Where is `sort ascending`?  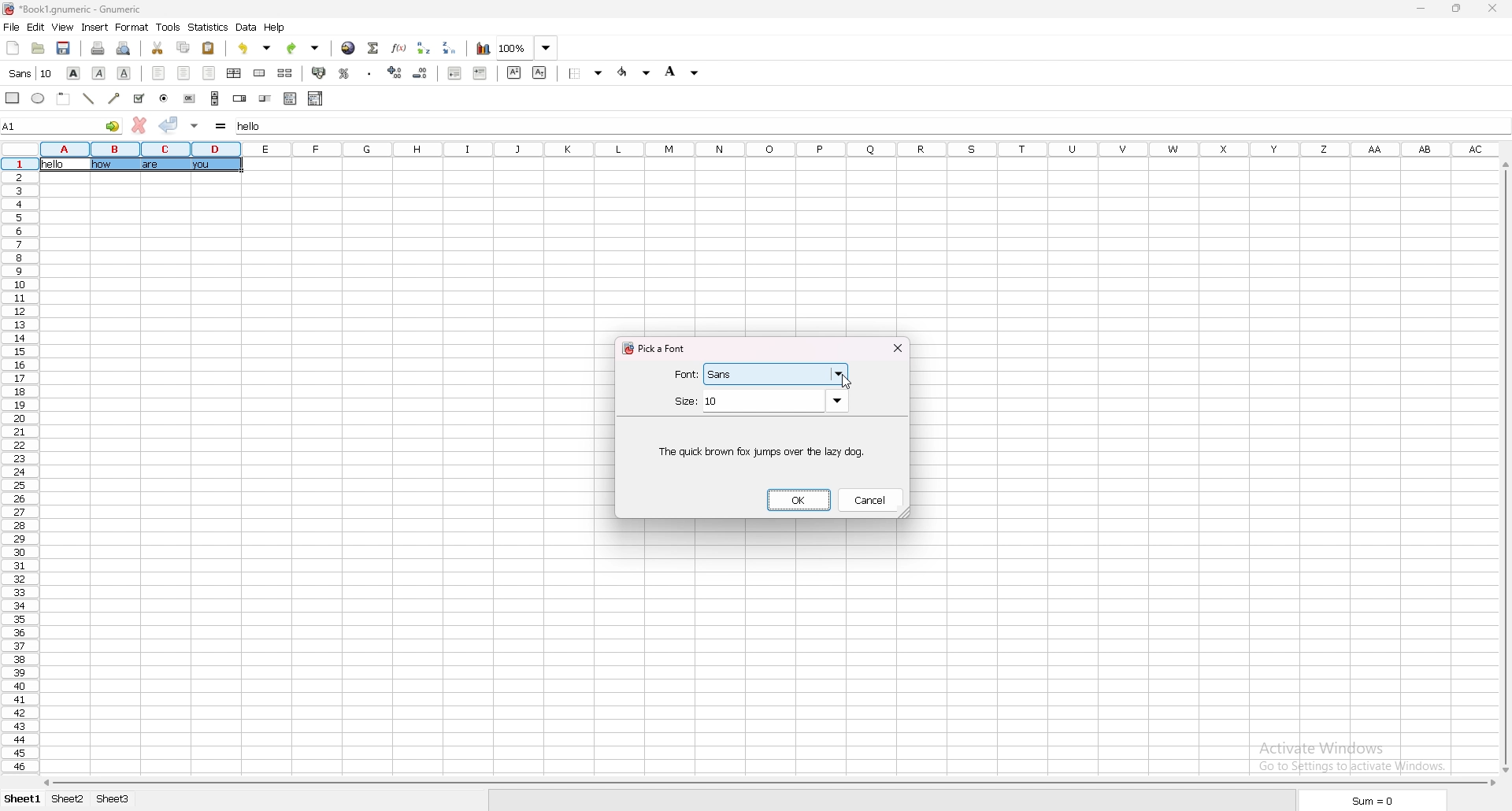 sort ascending is located at coordinates (425, 46).